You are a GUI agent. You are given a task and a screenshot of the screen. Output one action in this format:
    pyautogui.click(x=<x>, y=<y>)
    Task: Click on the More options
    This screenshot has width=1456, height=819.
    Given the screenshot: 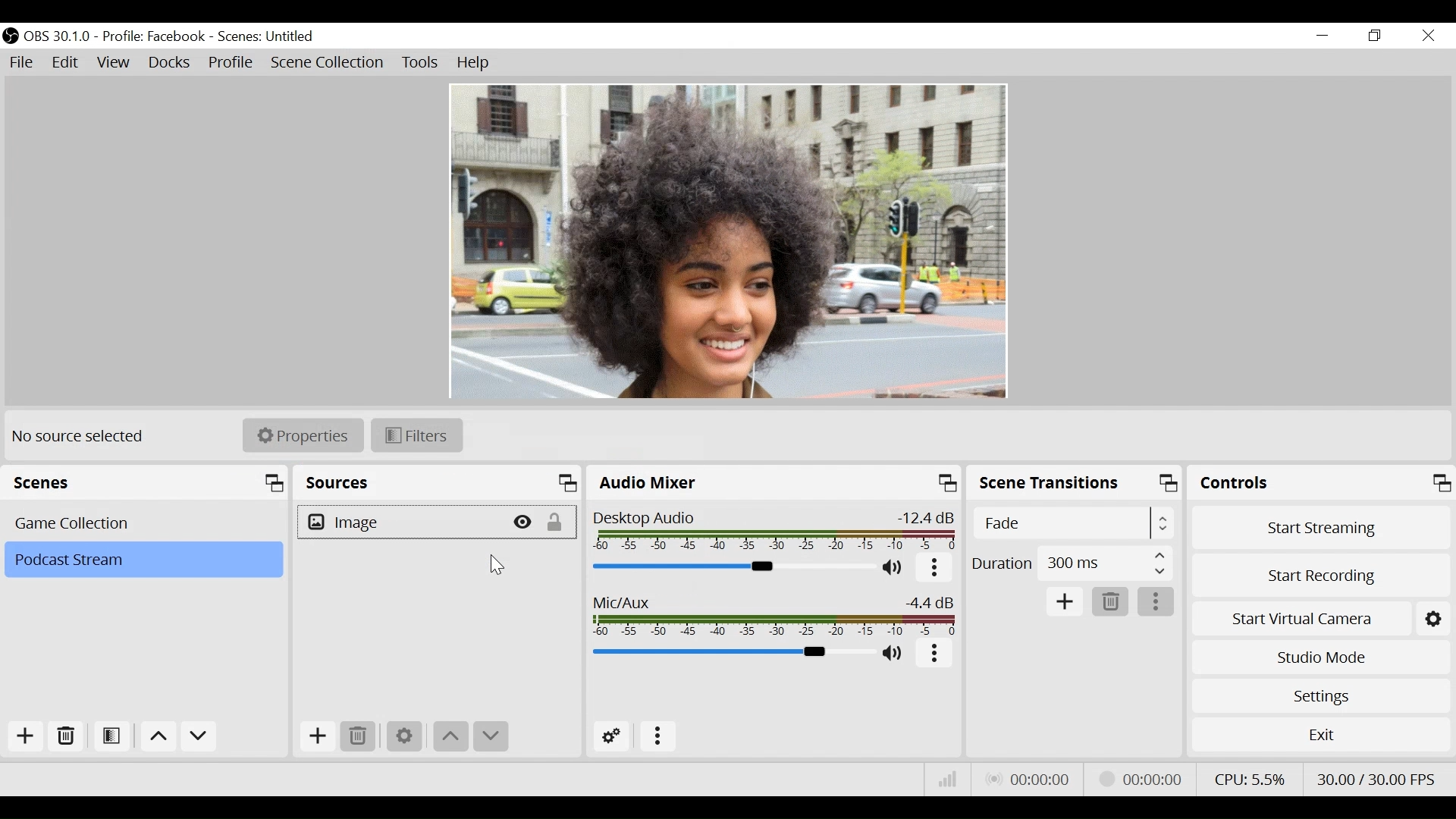 What is the action you would take?
    pyautogui.click(x=937, y=569)
    